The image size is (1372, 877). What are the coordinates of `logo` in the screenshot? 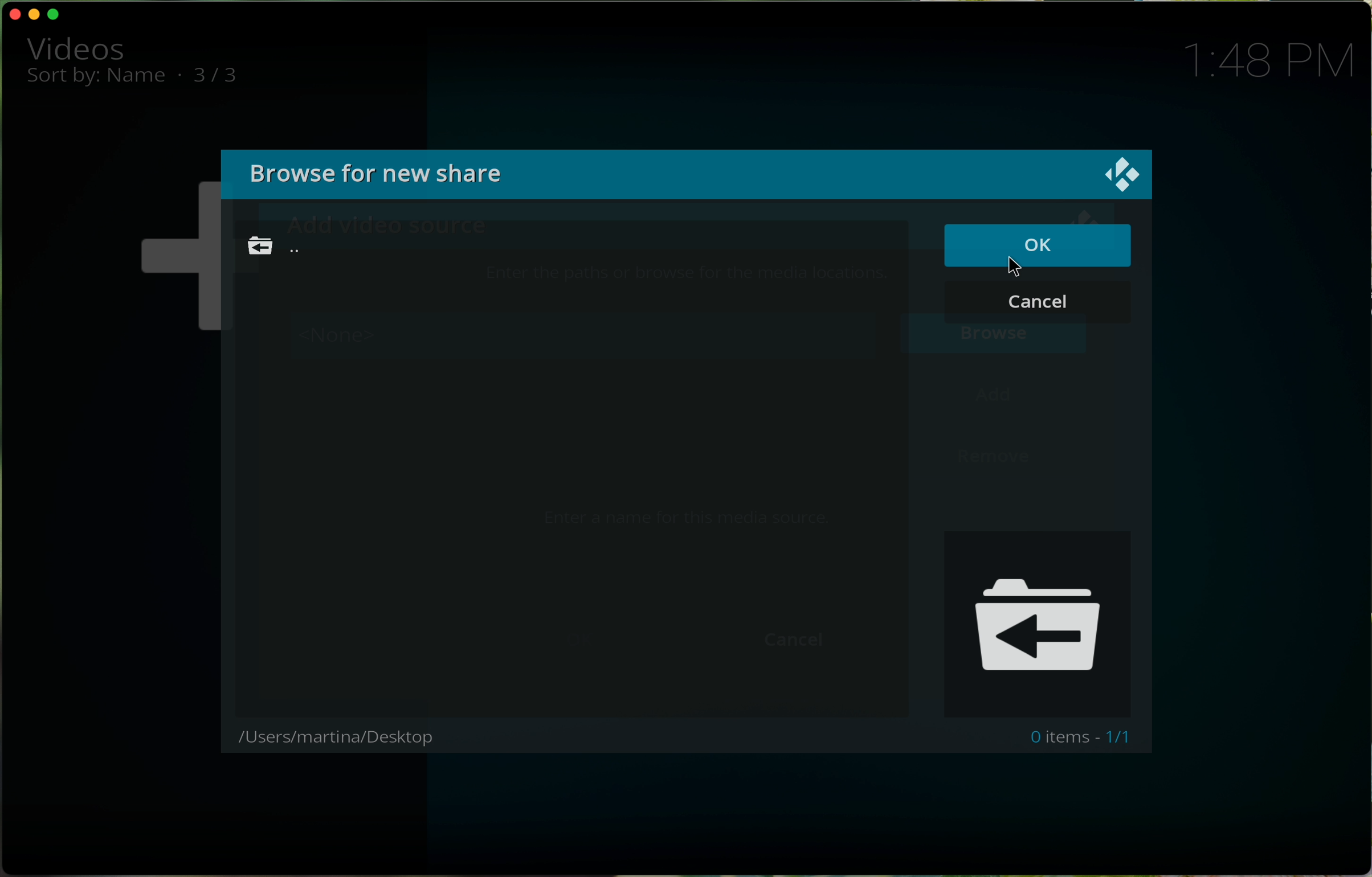 It's located at (1121, 174).